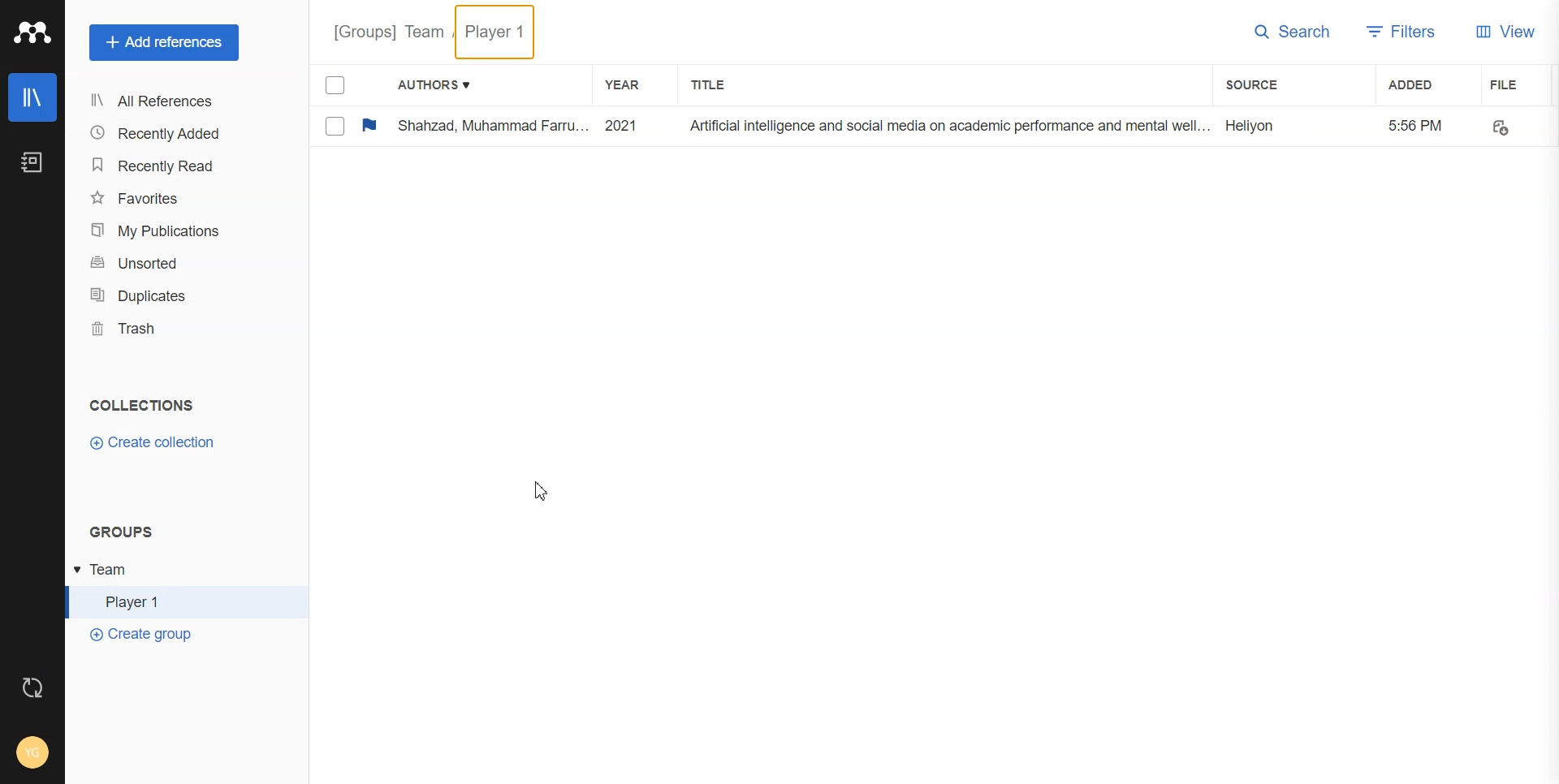 Image resolution: width=1559 pixels, height=784 pixels. Describe the element at coordinates (179, 571) in the screenshot. I see `Team Group` at that location.